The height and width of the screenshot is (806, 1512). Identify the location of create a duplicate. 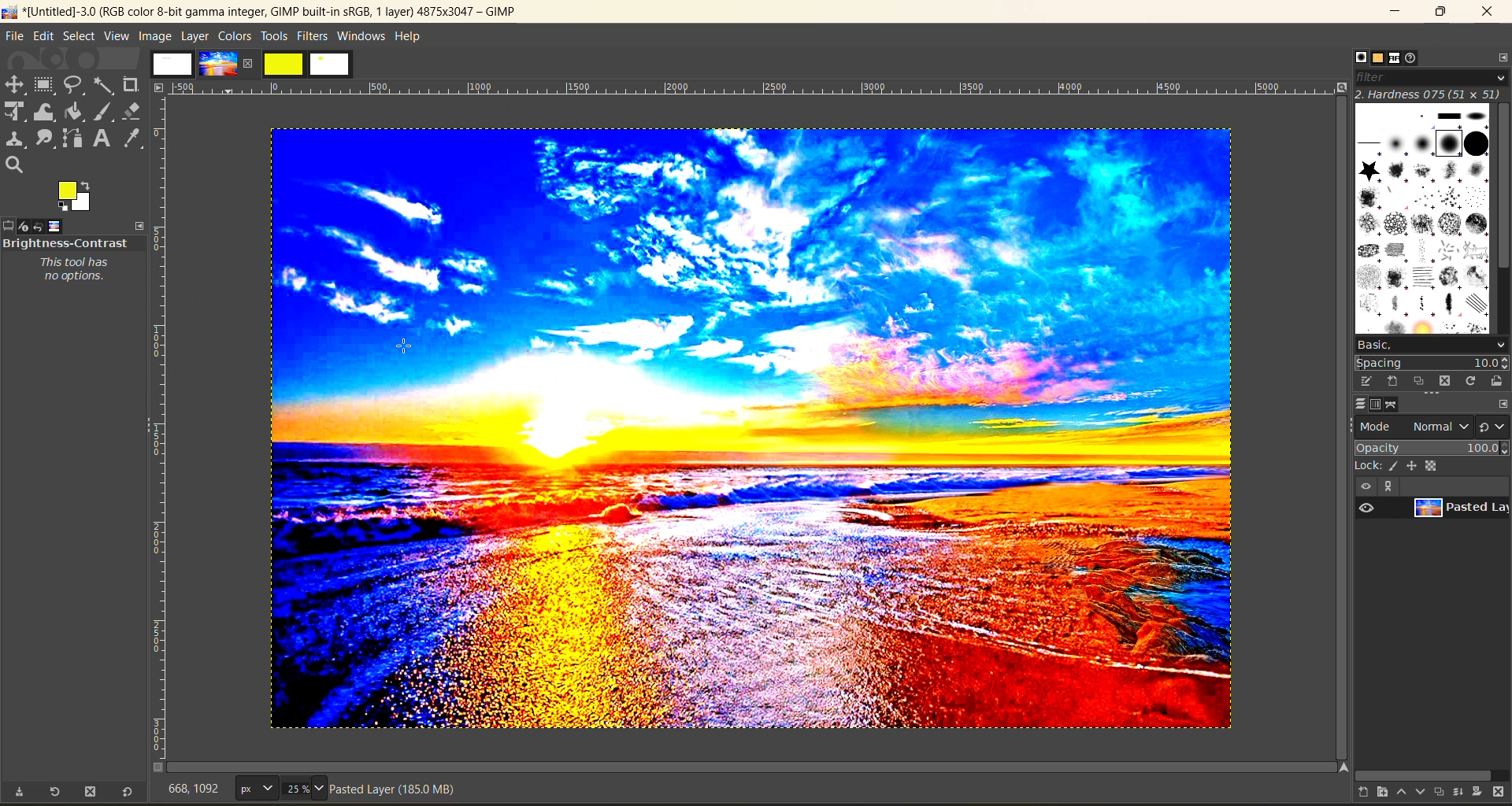
(1442, 791).